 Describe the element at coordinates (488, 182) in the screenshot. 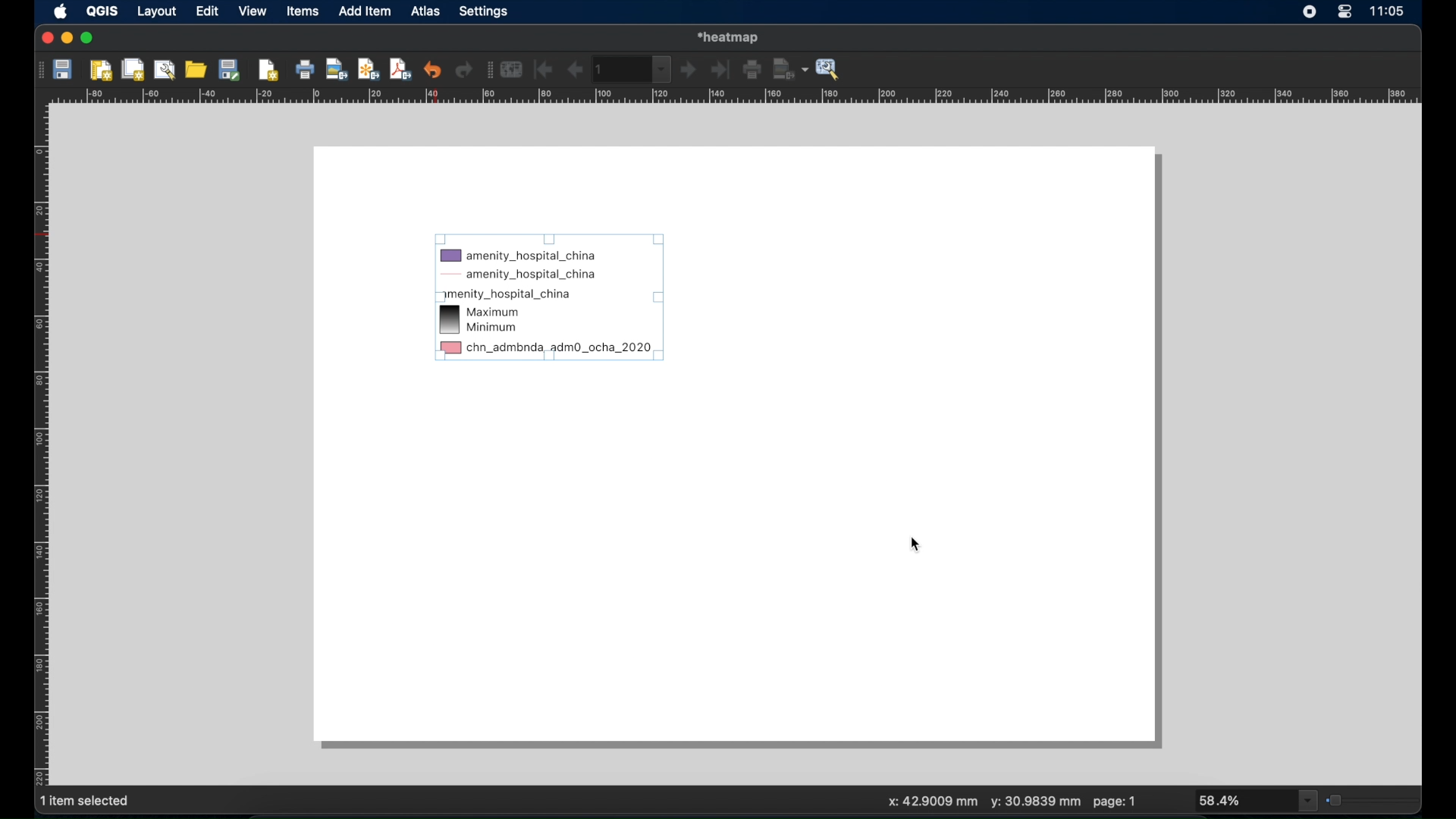

I see `blank layout` at that location.